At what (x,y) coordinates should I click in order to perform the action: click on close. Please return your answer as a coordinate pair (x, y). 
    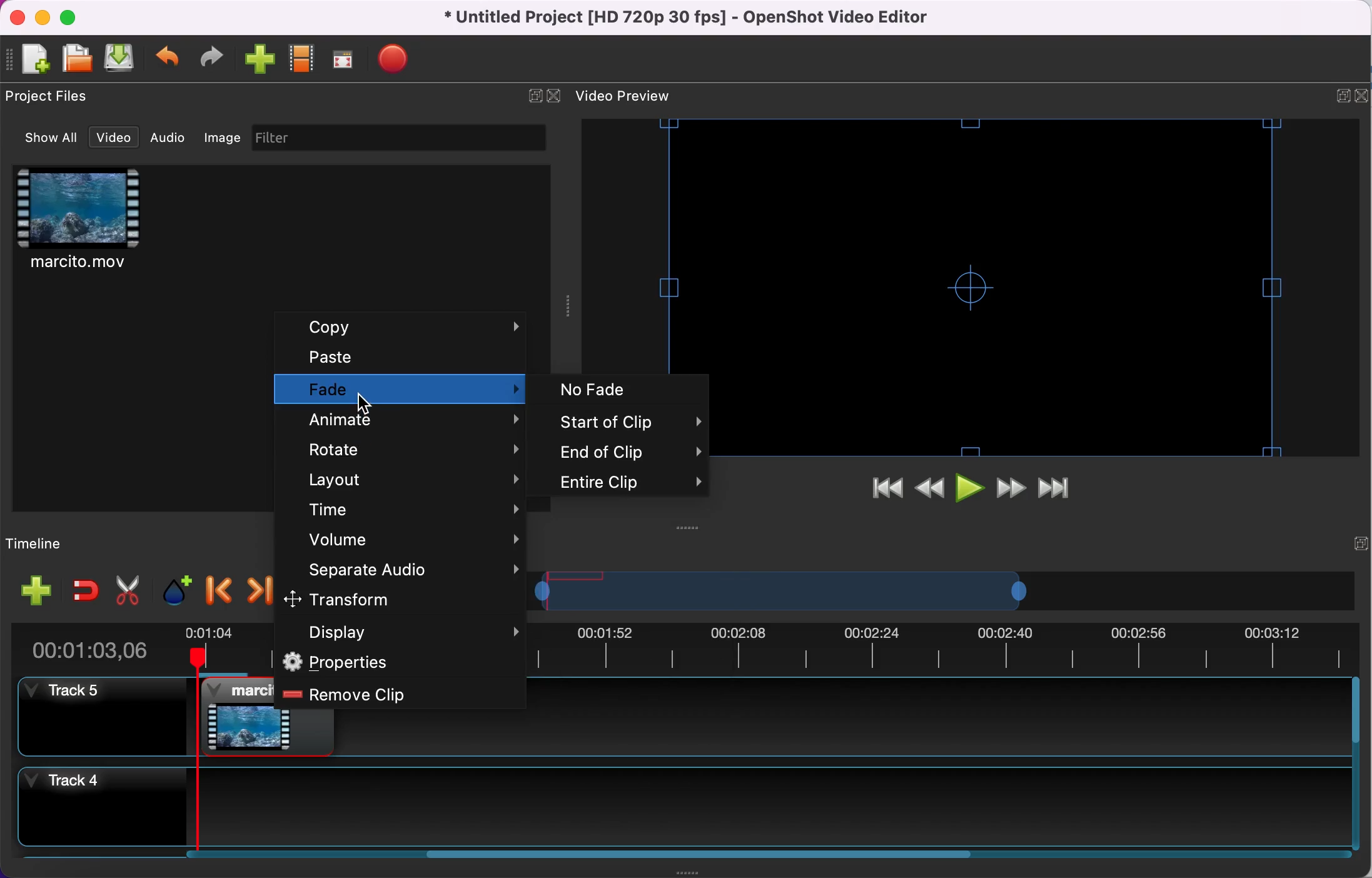
    Looking at the image, I should click on (557, 97).